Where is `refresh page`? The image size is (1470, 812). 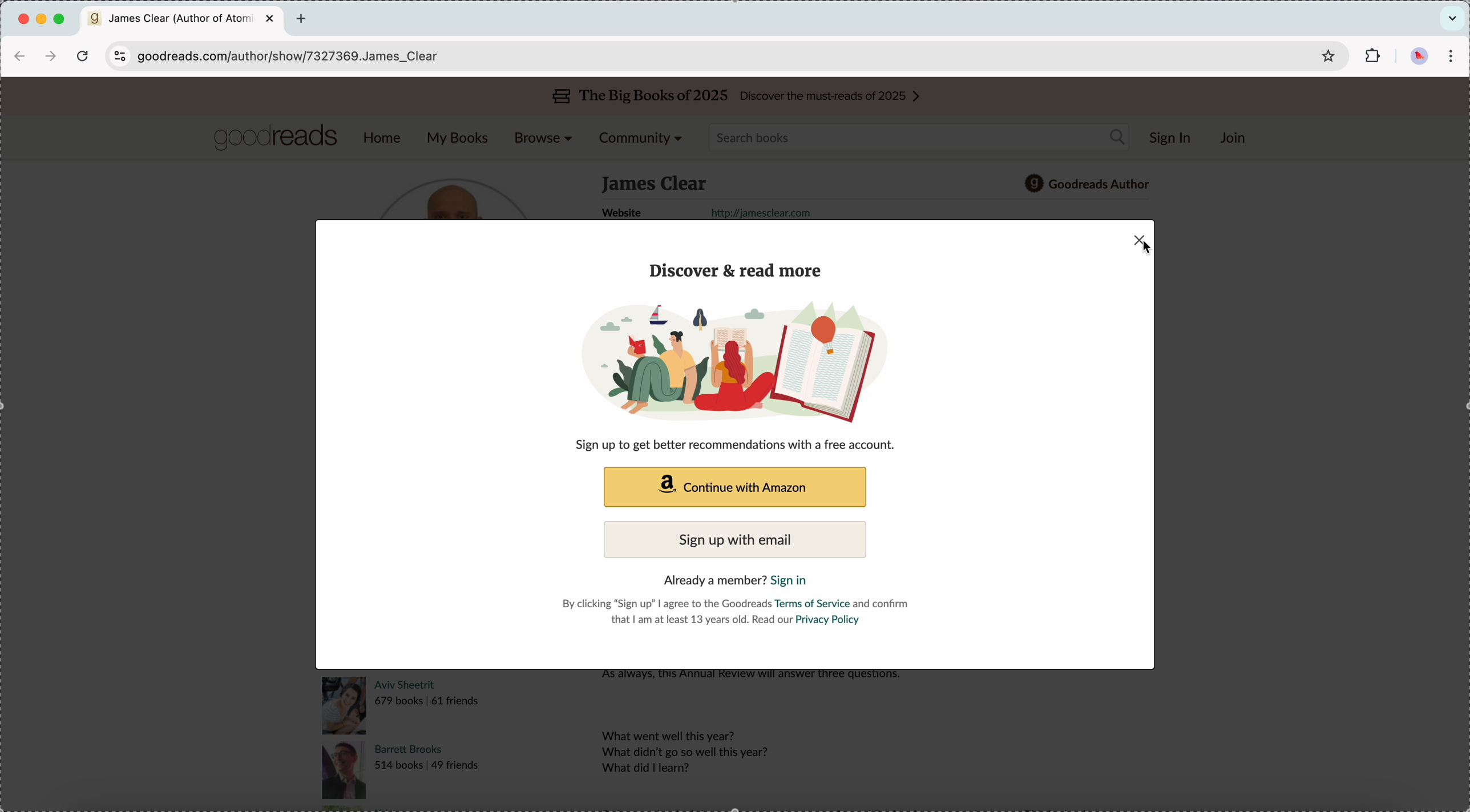 refresh page is located at coordinates (83, 59).